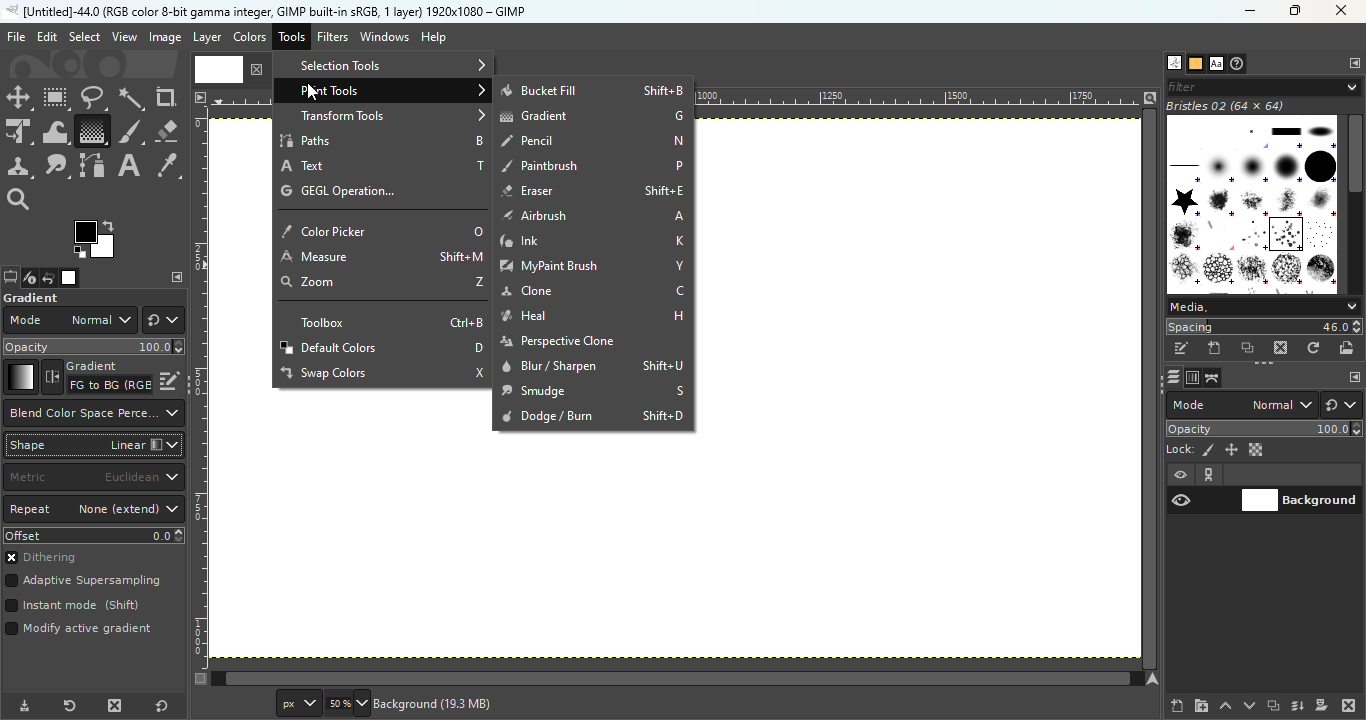 The width and height of the screenshot is (1366, 720). What do you see at coordinates (57, 166) in the screenshot?
I see `Smudge tool` at bounding box center [57, 166].